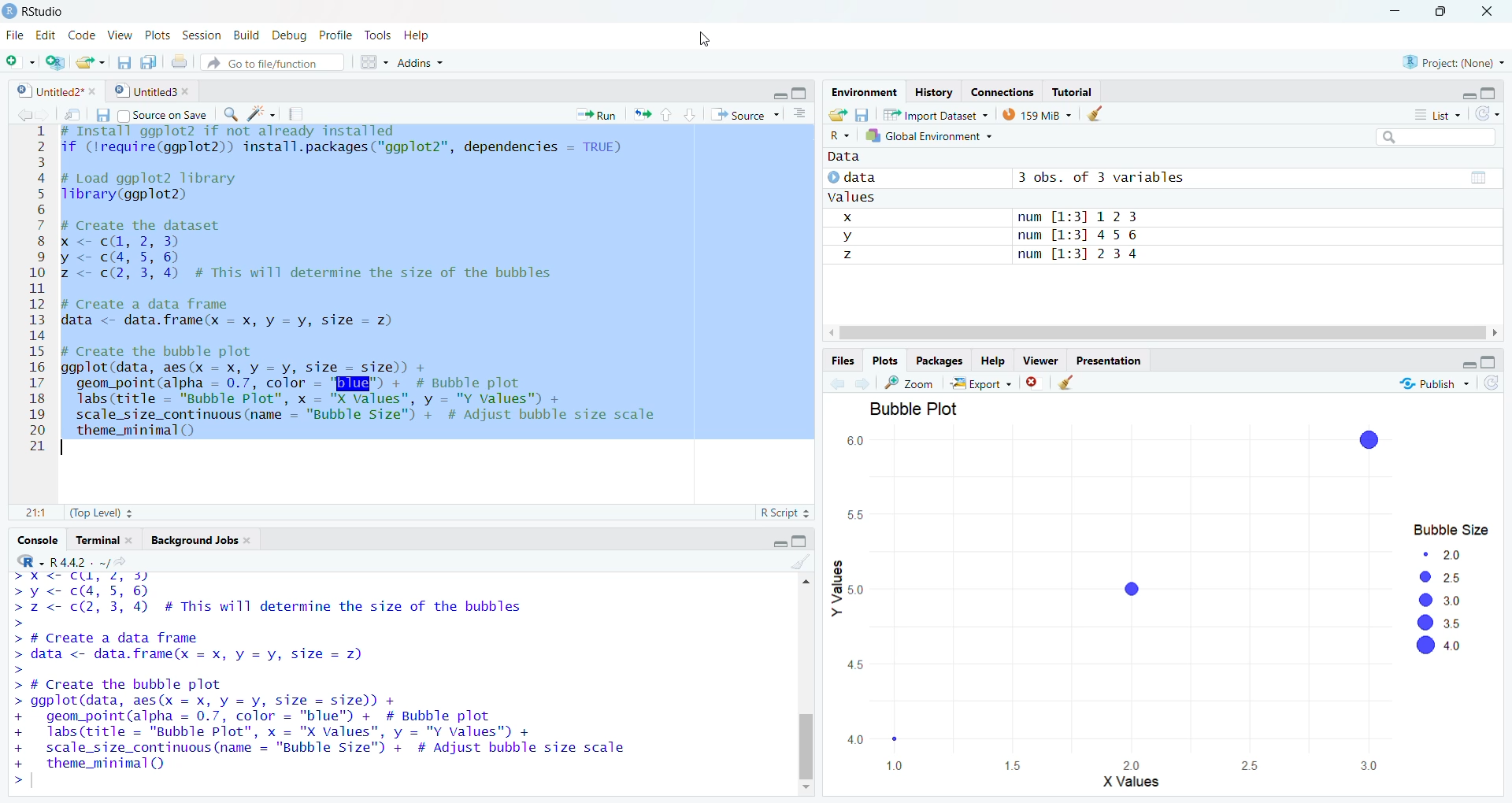  Describe the element at coordinates (1099, 113) in the screenshot. I see `clear objects` at that location.